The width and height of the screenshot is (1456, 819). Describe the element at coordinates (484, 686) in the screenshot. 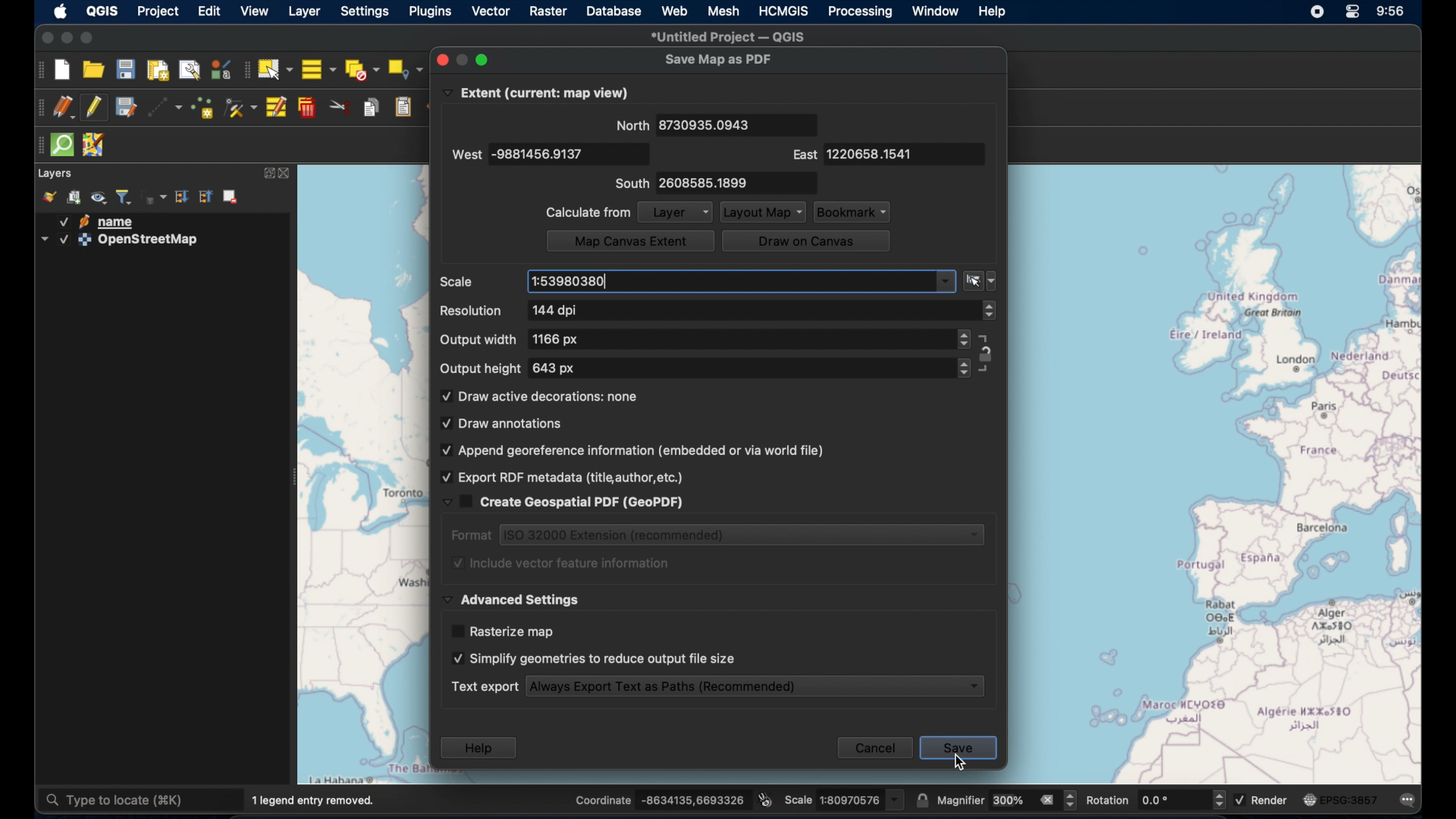

I see `text export` at that location.